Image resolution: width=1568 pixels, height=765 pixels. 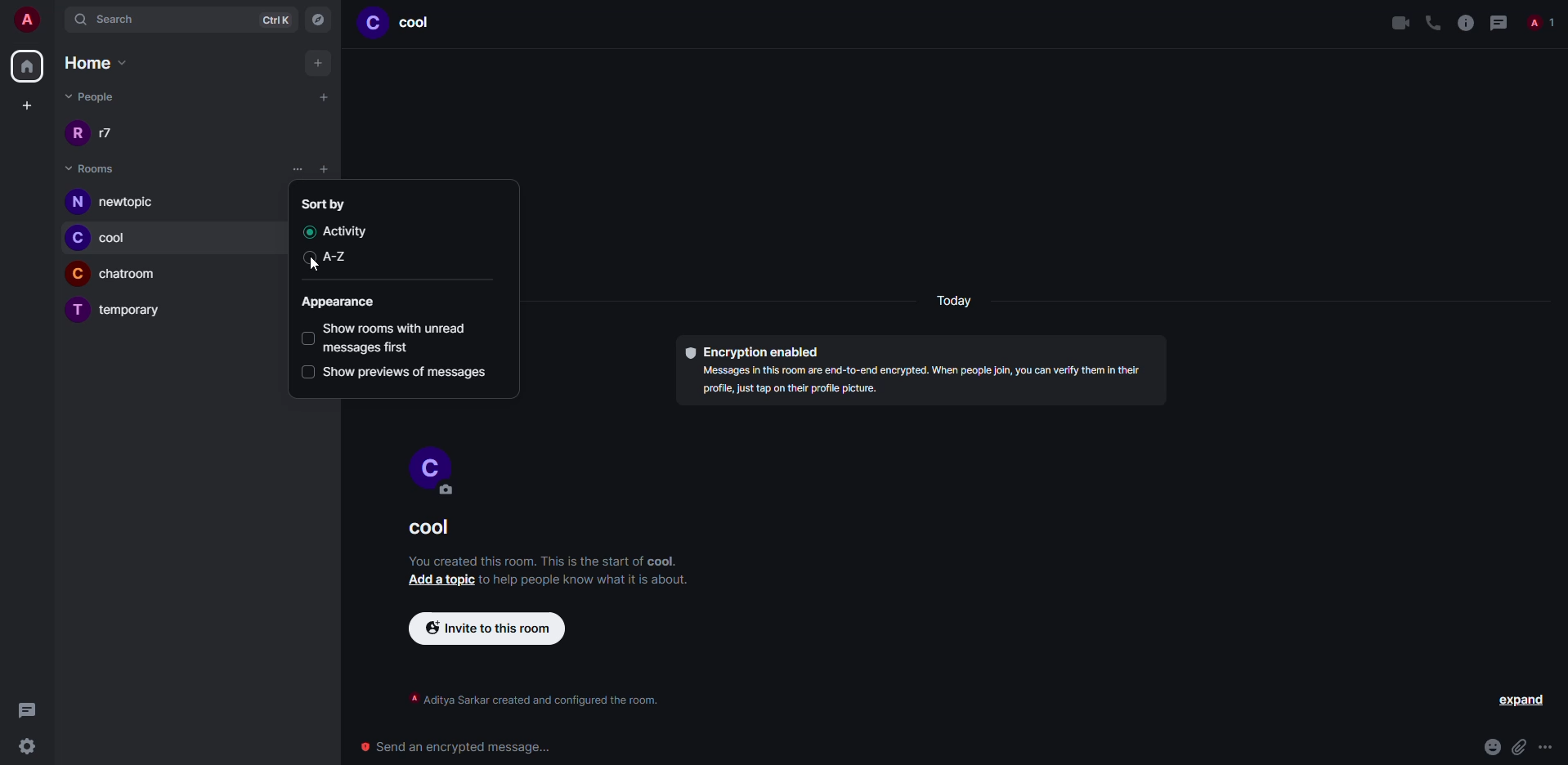 What do you see at coordinates (76, 134) in the screenshot?
I see `profile` at bounding box center [76, 134].